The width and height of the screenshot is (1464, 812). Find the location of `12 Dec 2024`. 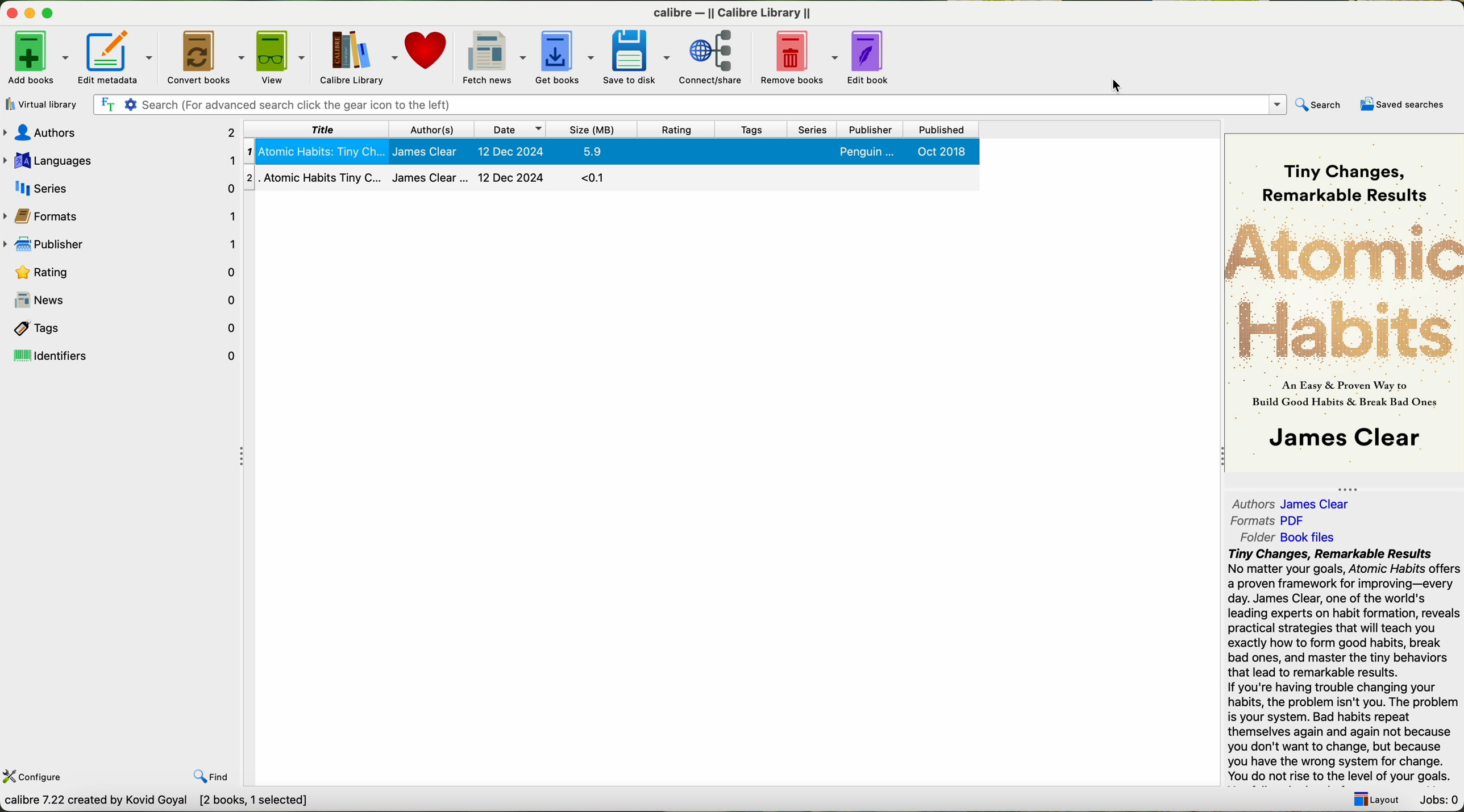

12 Dec 2024 is located at coordinates (508, 152).